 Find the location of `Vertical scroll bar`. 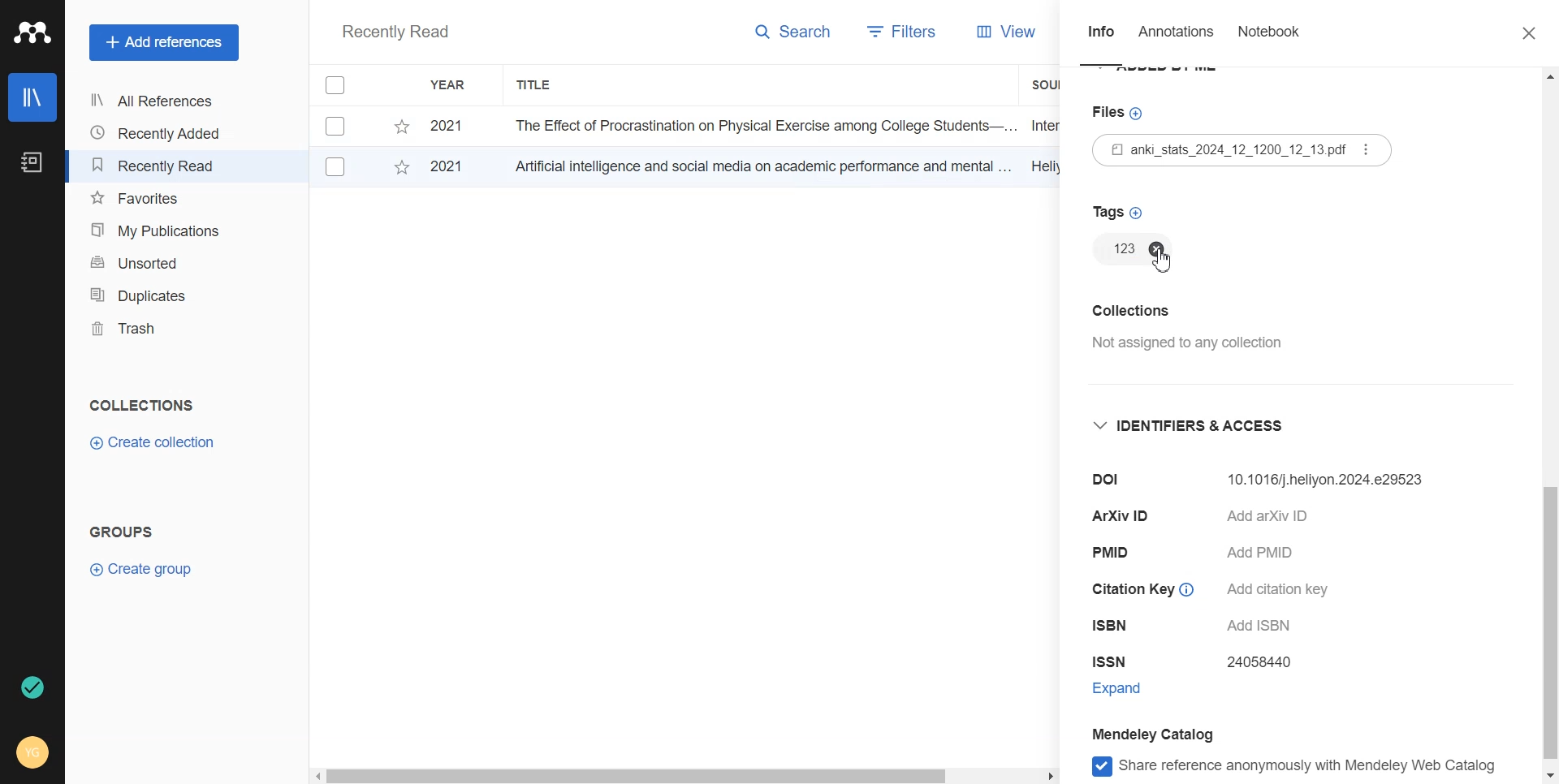

Vertical scroll bar is located at coordinates (1549, 426).